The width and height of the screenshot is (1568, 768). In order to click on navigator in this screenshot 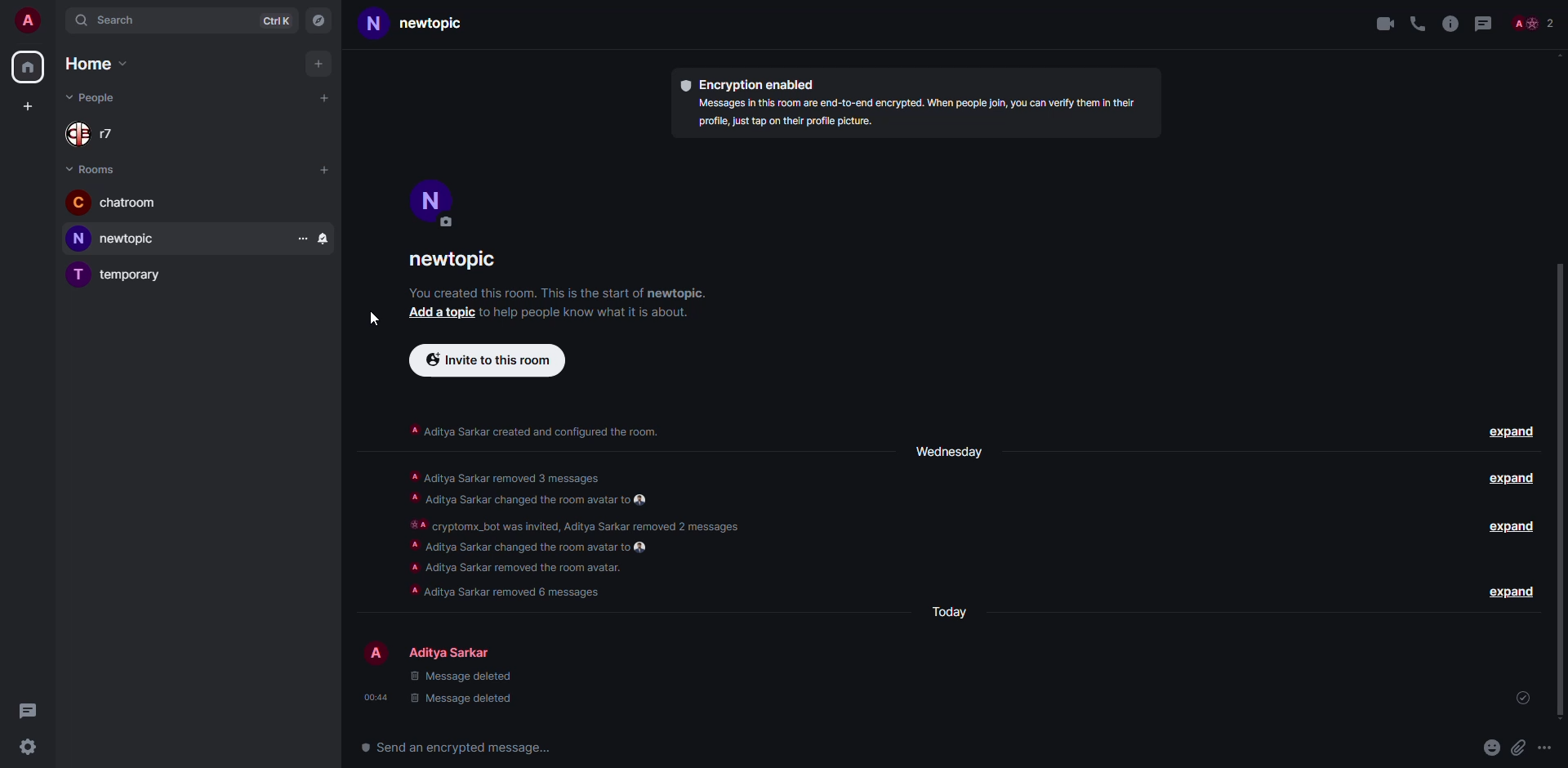, I will do `click(320, 22)`.